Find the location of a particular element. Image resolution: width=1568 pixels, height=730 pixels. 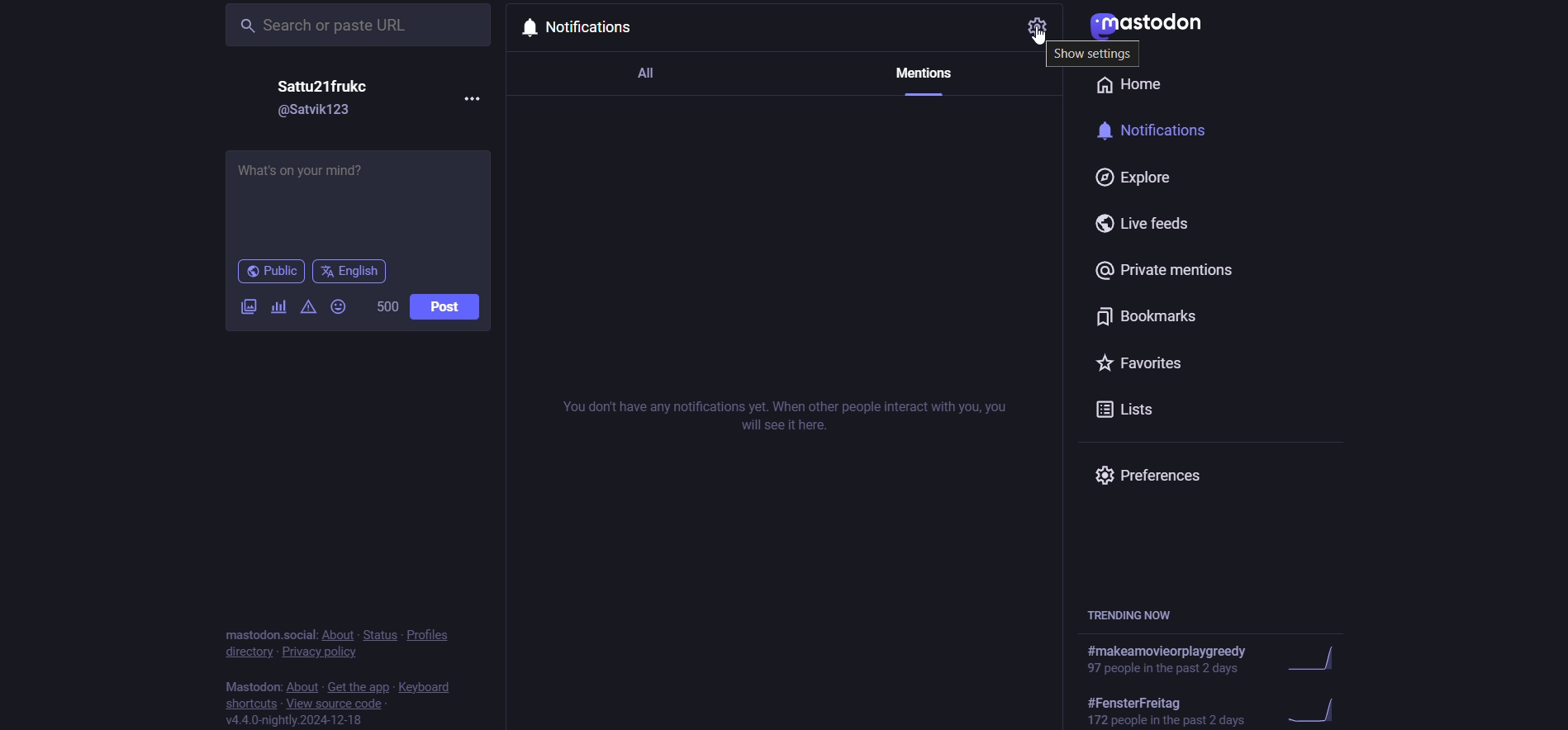

#makeamovieorplaygreedy is located at coordinates (1168, 651).